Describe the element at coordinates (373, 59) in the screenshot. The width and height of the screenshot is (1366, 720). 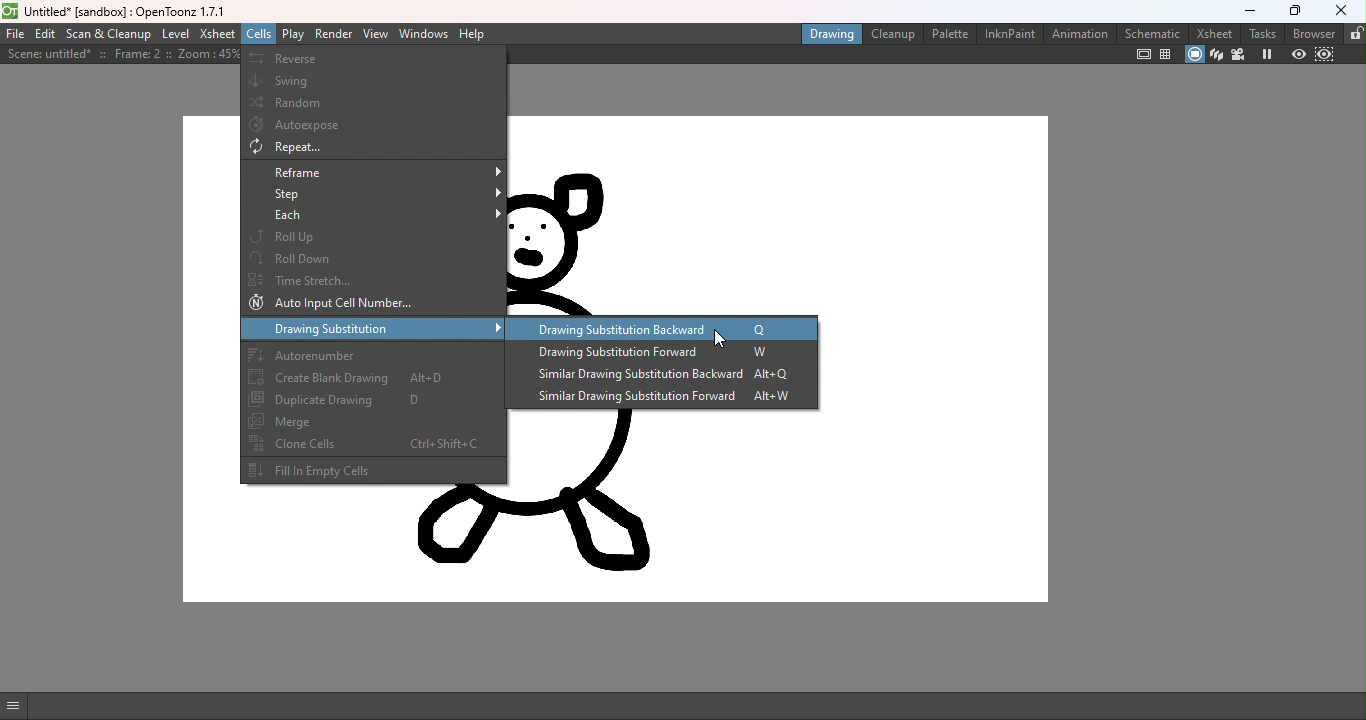
I see `Reverse` at that location.